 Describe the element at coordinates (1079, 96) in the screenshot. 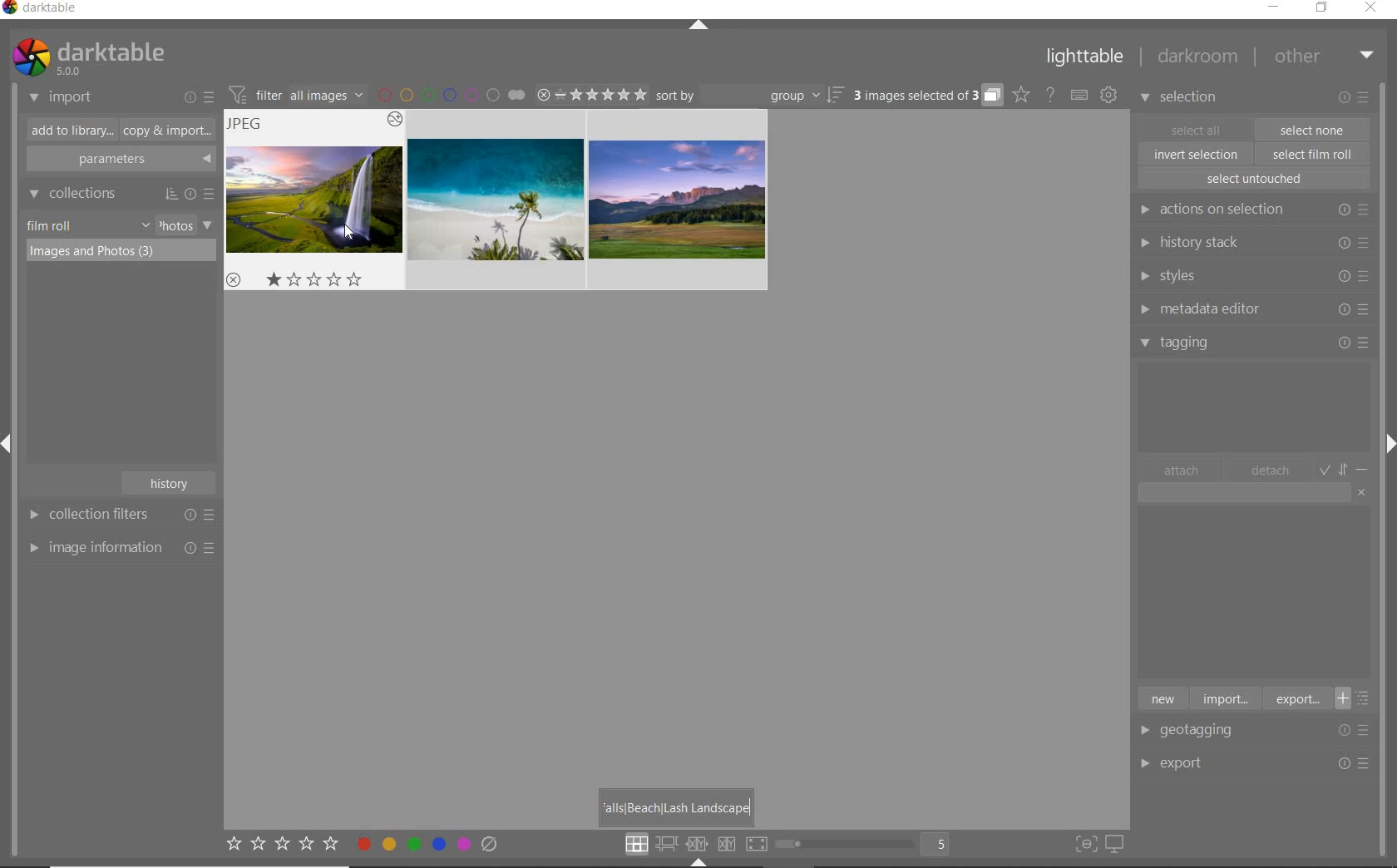

I see `set keyboard shortcut` at that location.